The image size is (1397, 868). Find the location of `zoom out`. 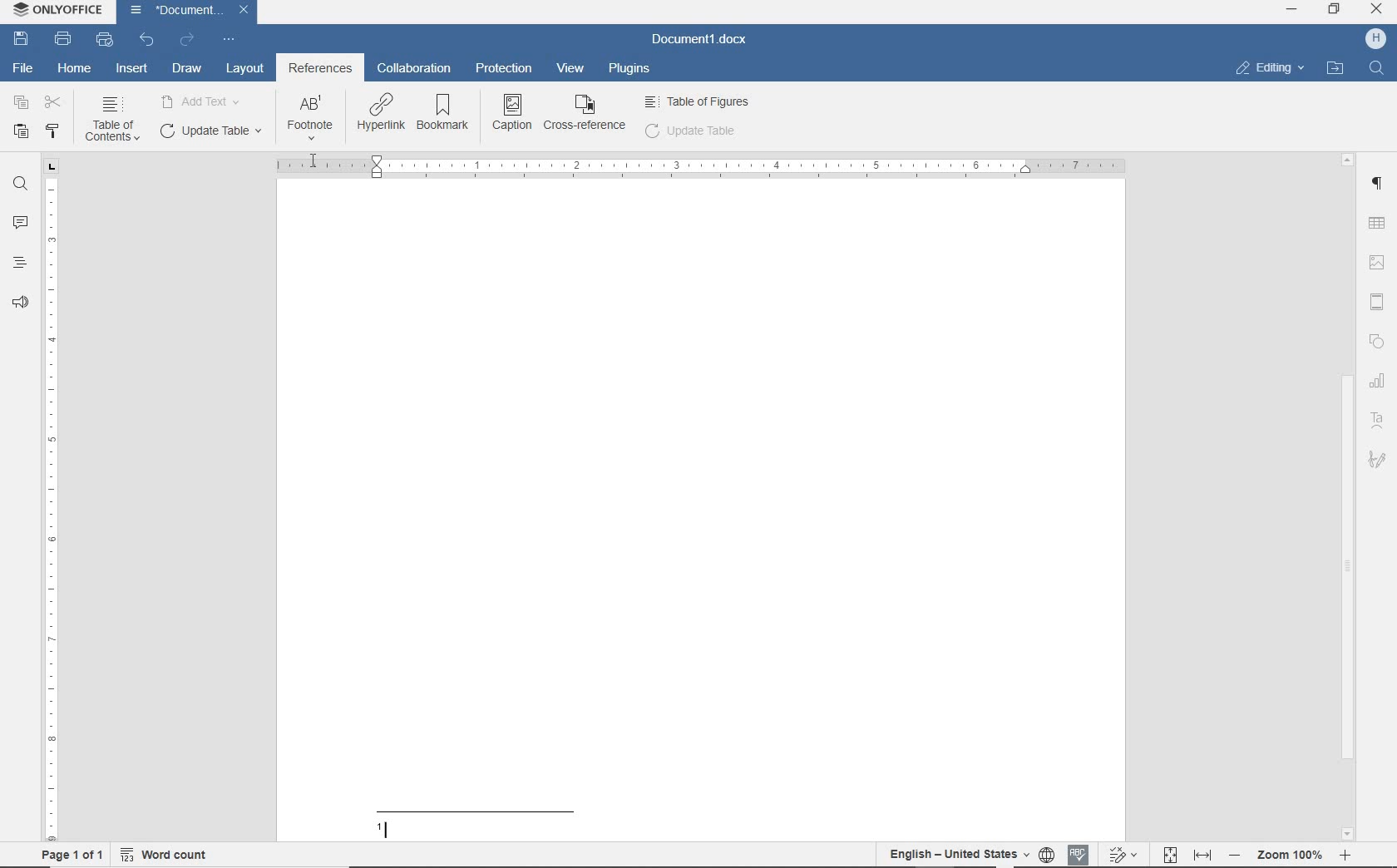

zoom out is located at coordinates (1239, 856).